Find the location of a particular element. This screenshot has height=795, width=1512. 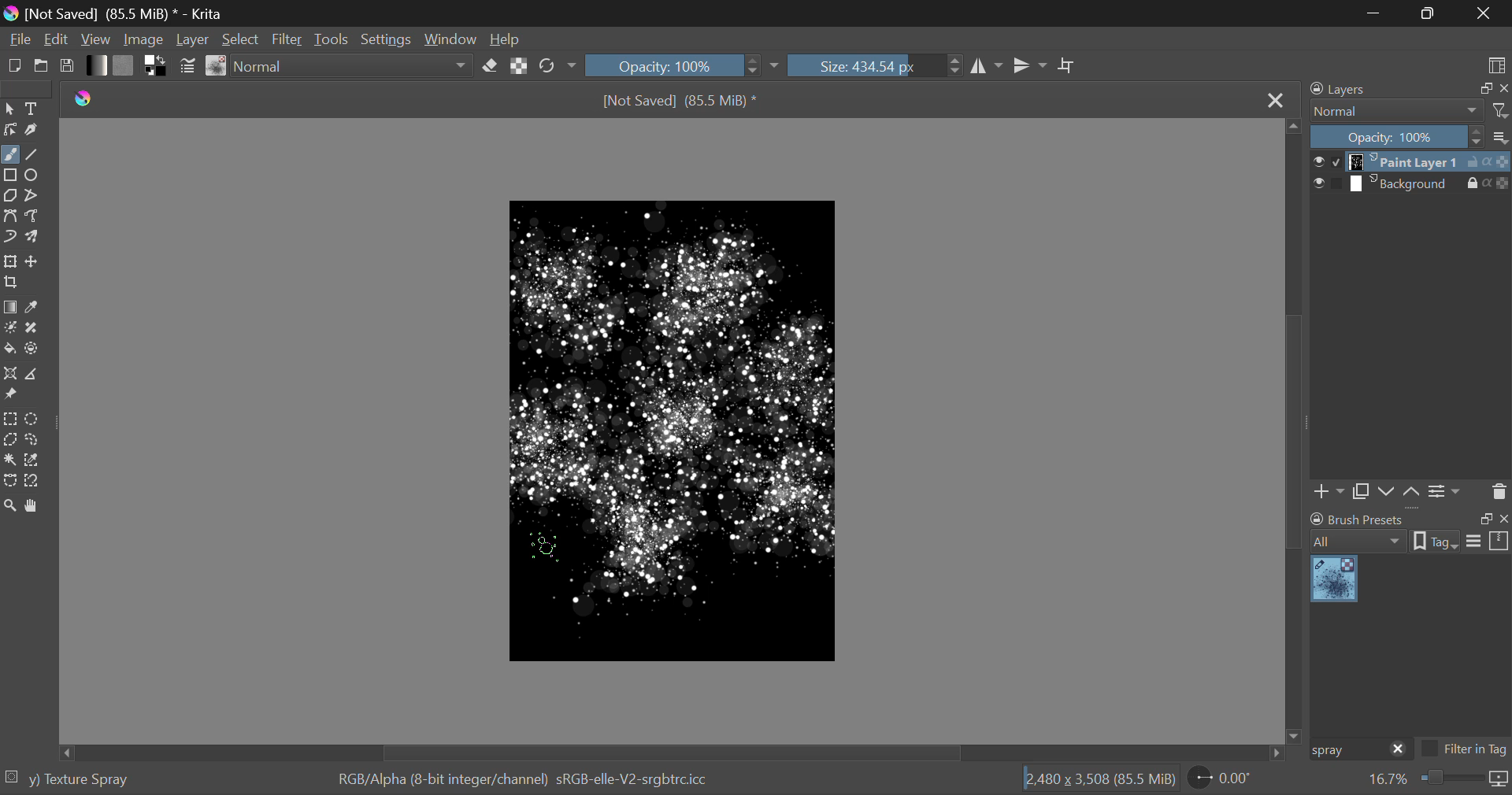

Rectangular Selection is located at coordinates (10, 420).